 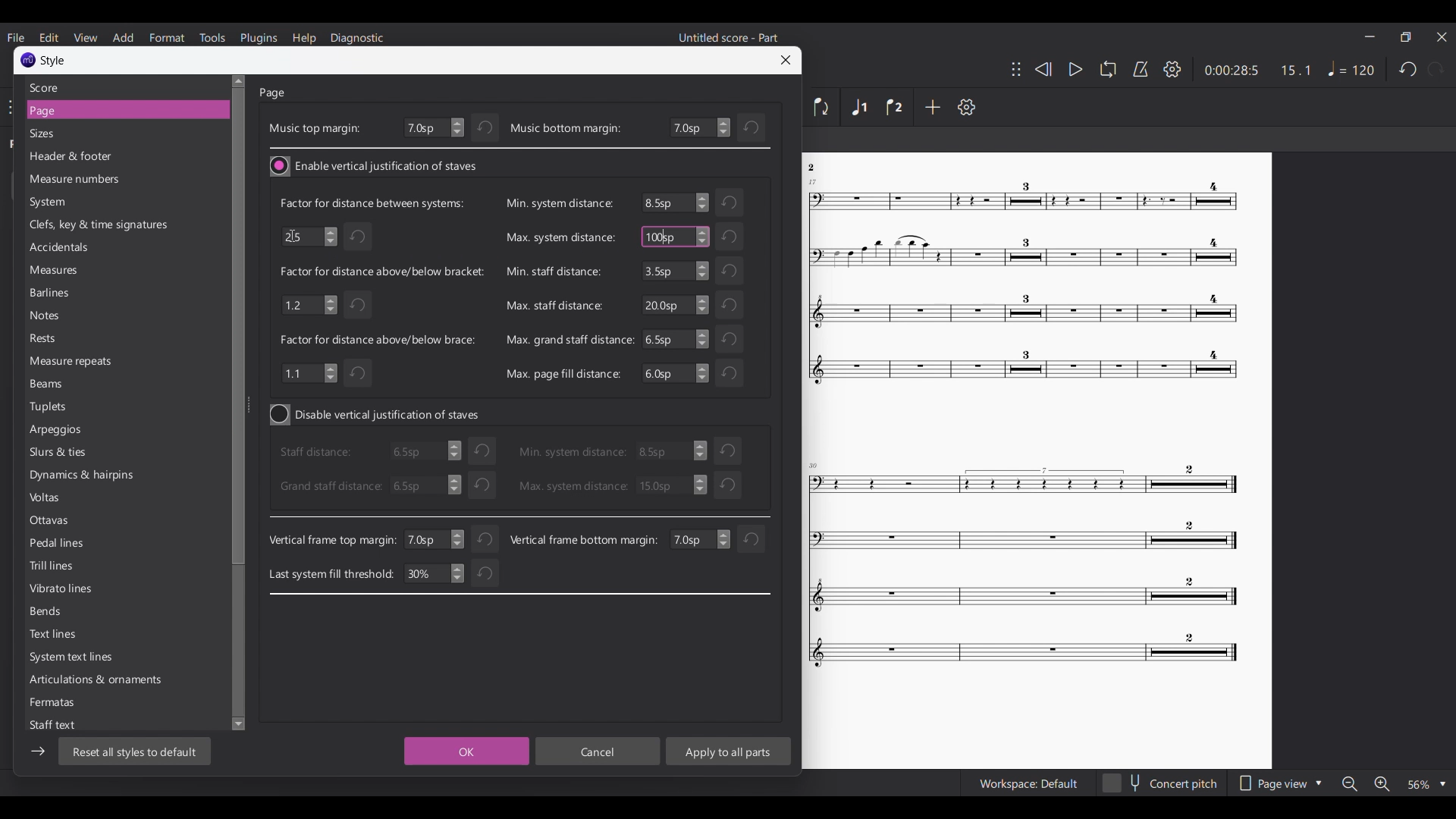 What do you see at coordinates (1024, 283) in the screenshot?
I see `` at bounding box center [1024, 283].